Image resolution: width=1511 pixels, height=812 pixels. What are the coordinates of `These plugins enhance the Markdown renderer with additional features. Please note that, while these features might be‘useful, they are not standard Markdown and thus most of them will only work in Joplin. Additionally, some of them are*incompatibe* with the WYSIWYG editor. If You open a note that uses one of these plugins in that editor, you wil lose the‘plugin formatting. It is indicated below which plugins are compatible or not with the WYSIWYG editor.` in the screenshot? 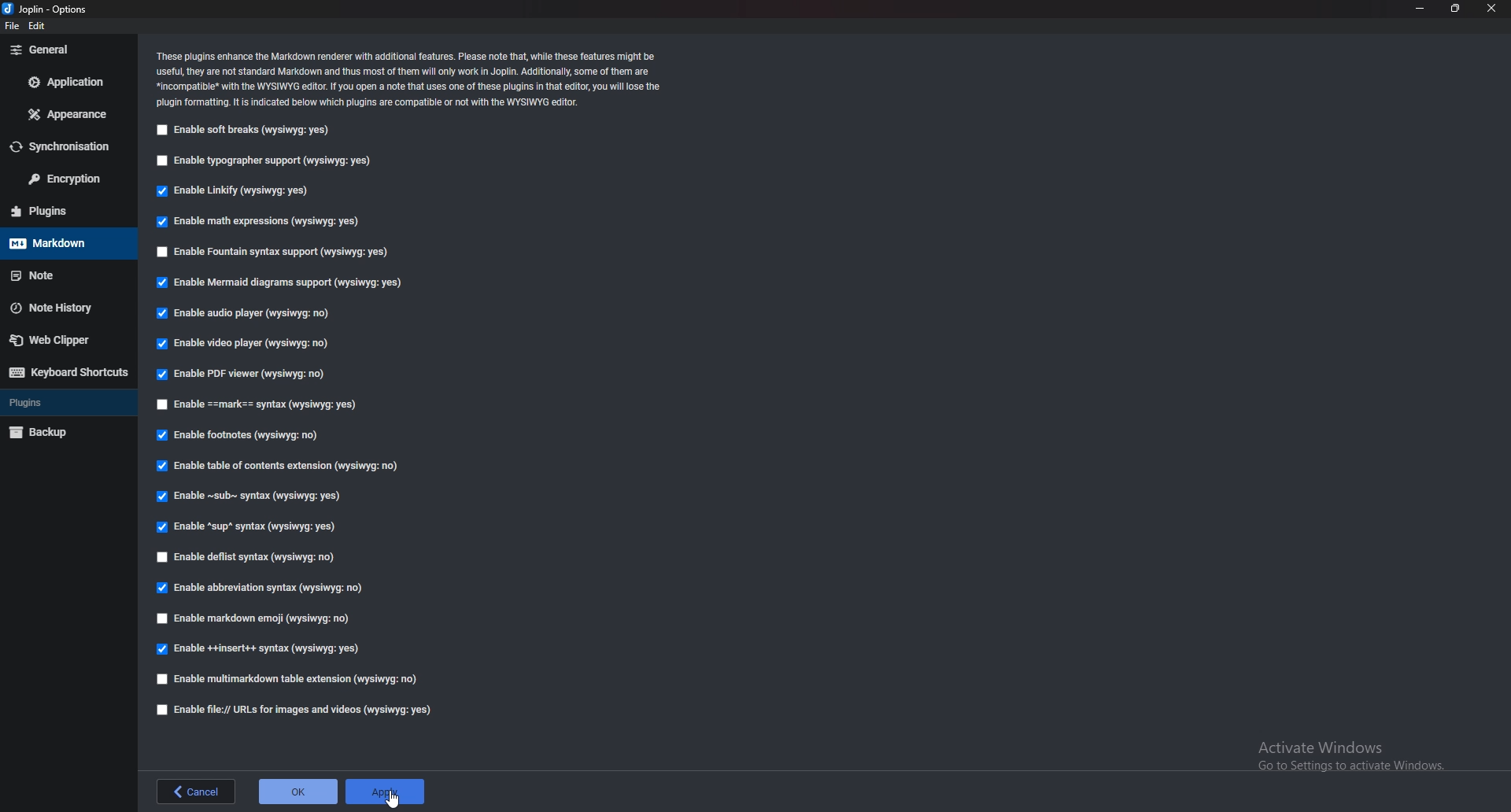 It's located at (414, 79).